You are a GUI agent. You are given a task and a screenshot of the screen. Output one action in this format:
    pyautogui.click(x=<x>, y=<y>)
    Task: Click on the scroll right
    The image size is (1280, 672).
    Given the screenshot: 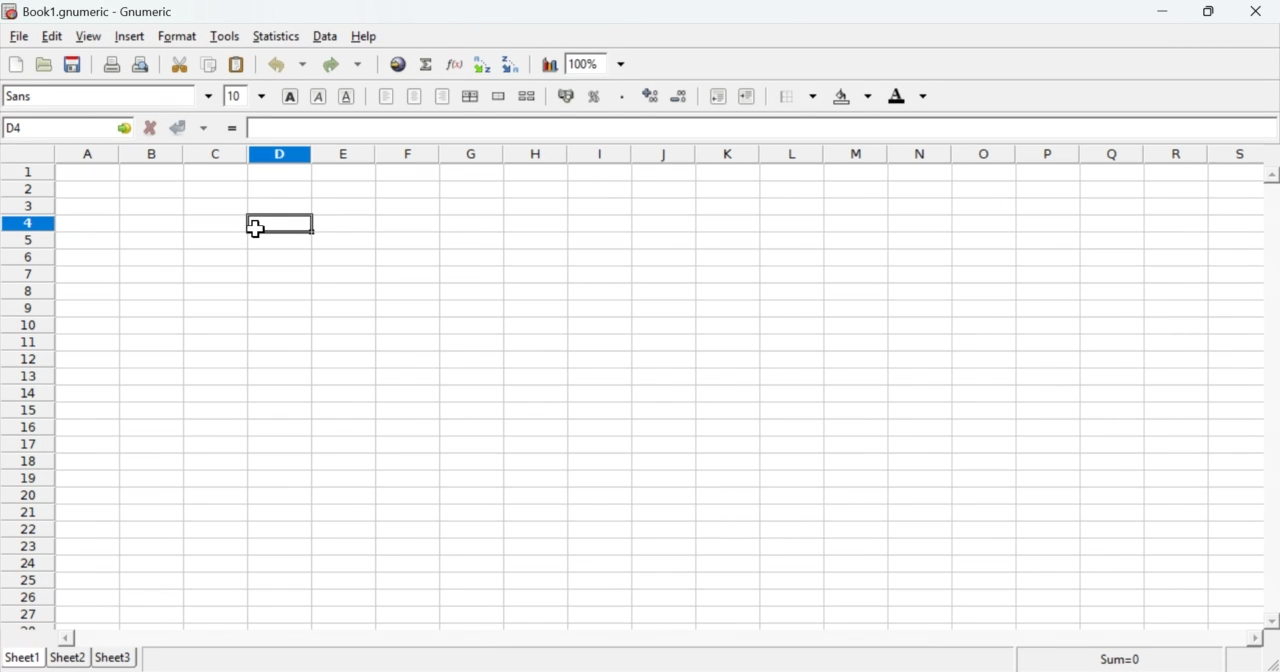 What is the action you would take?
    pyautogui.click(x=1252, y=638)
    